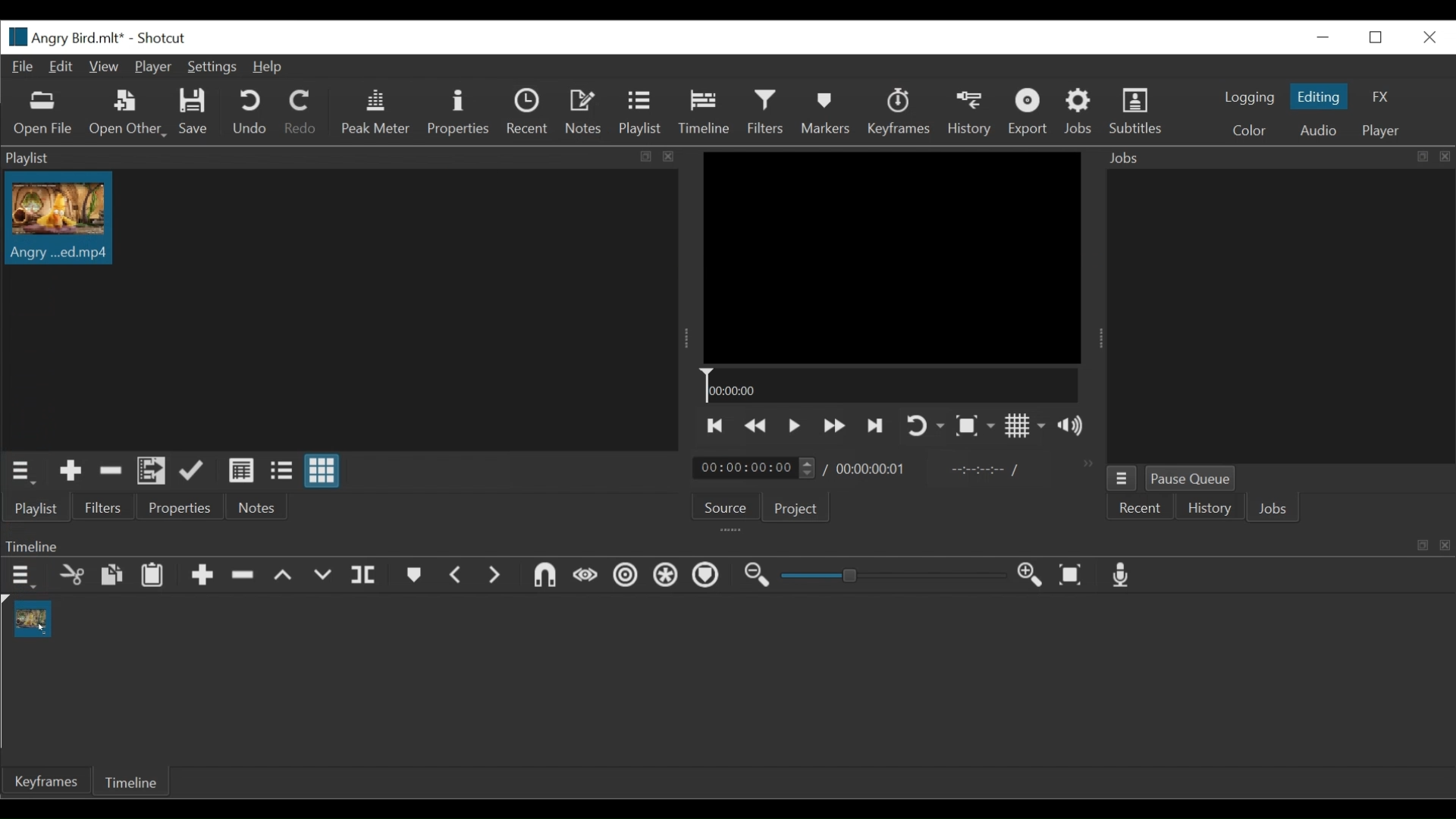 This screenshot has height=819, width=1456. Describe the element at coordinates (639, 111) in the screenshot. I see `Playlist` at that location.